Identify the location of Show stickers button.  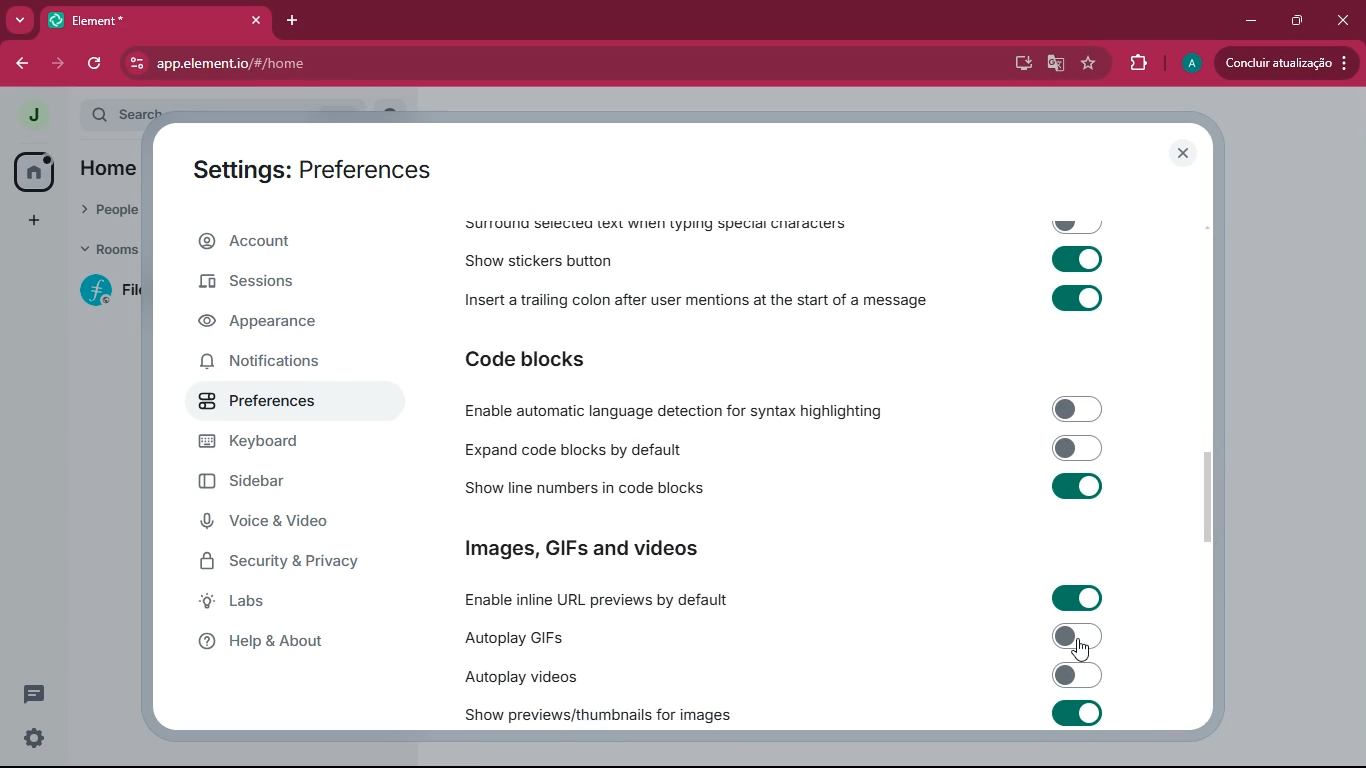
(785, 263).